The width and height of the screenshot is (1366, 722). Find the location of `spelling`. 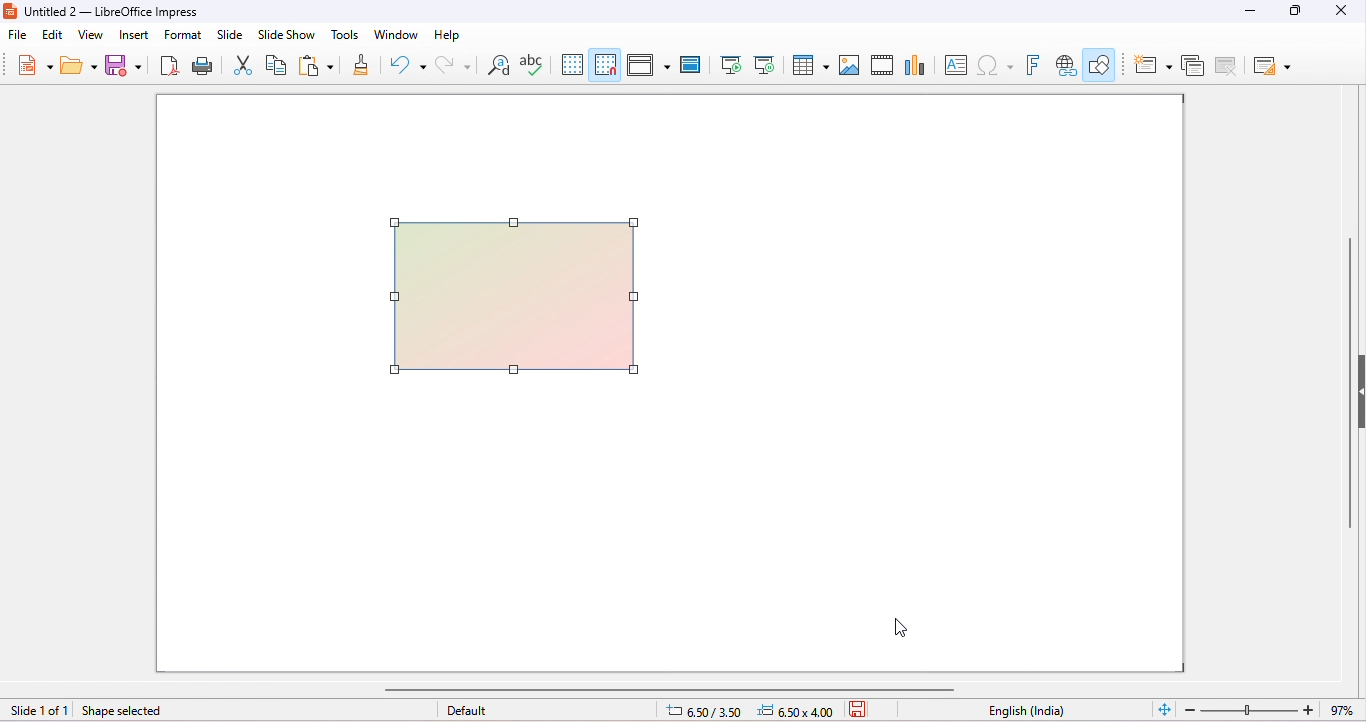

spelling is located at coordinates (531, 63).